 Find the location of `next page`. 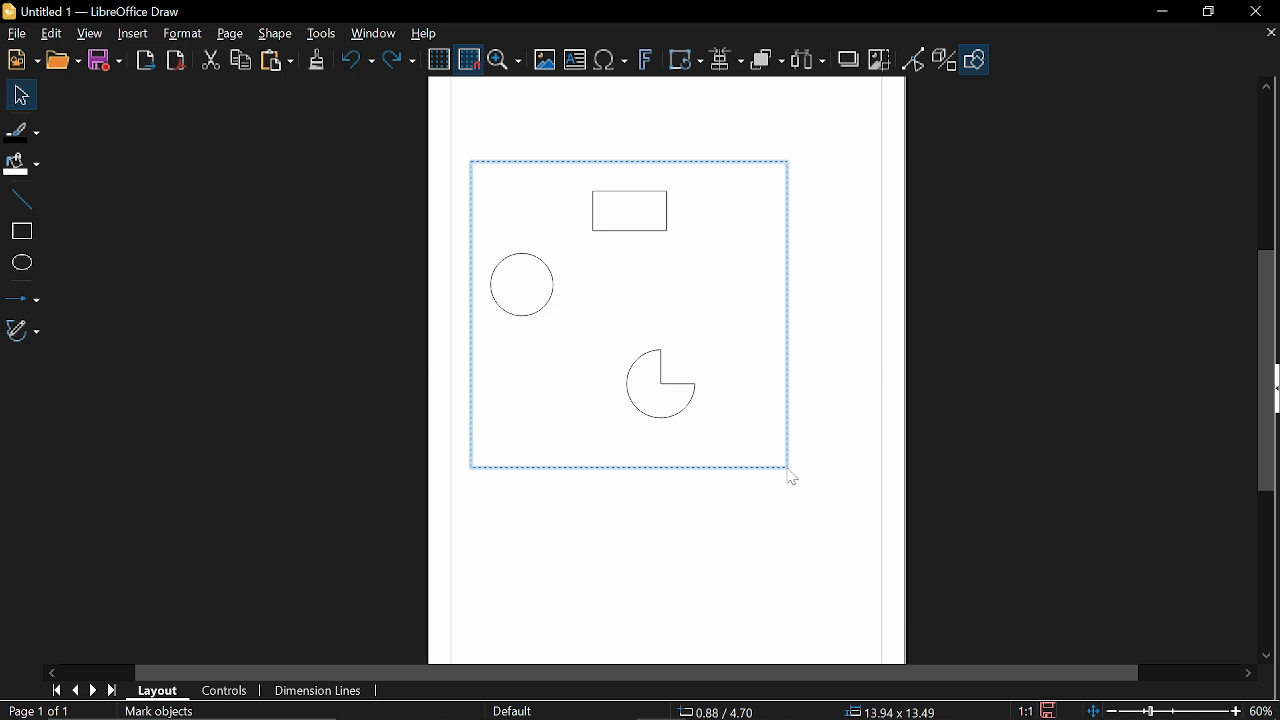

next page is located at coordinates (89, 690).